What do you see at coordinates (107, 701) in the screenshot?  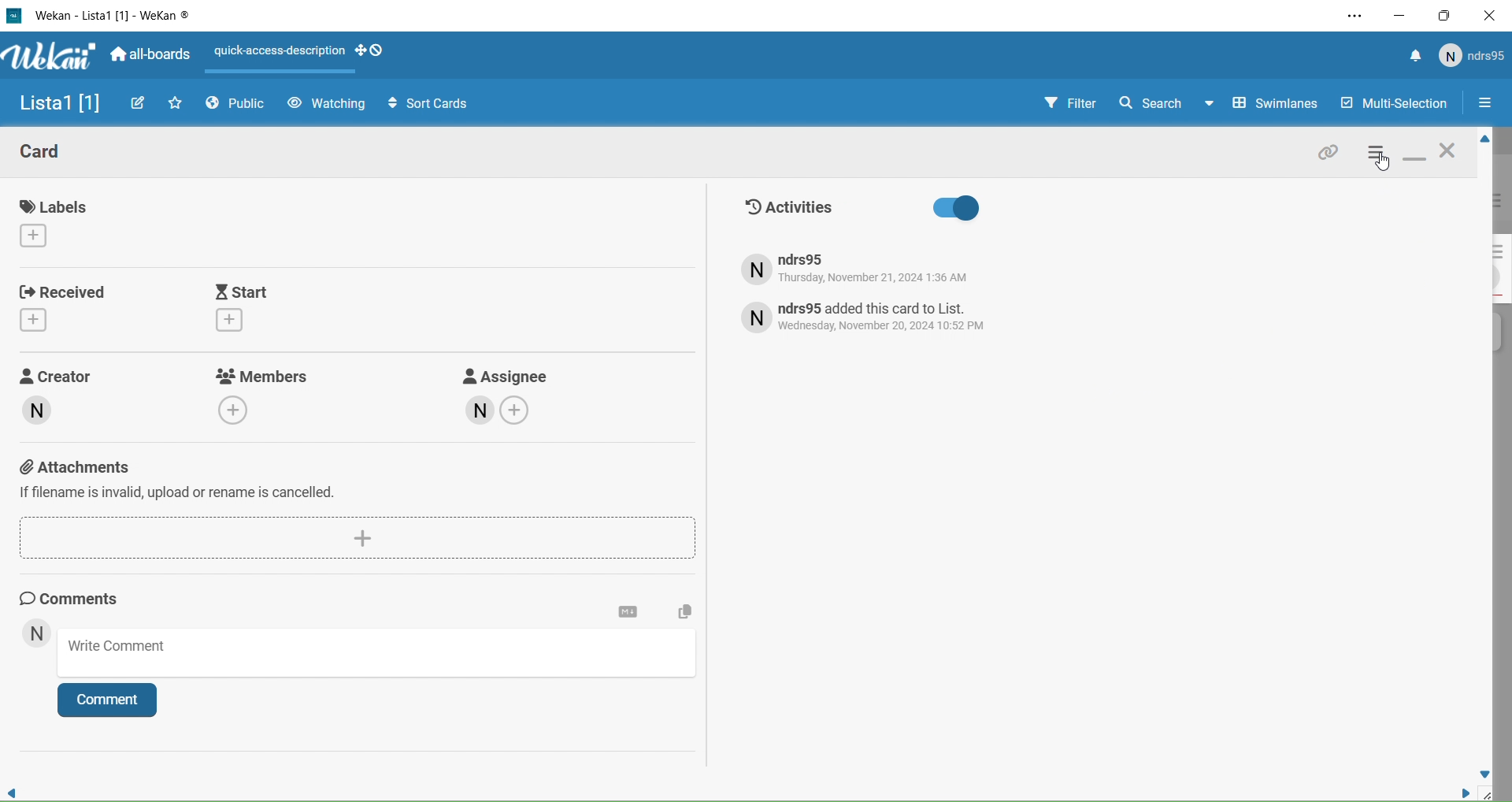 I see `Comment` at bounding box center [107, 701].